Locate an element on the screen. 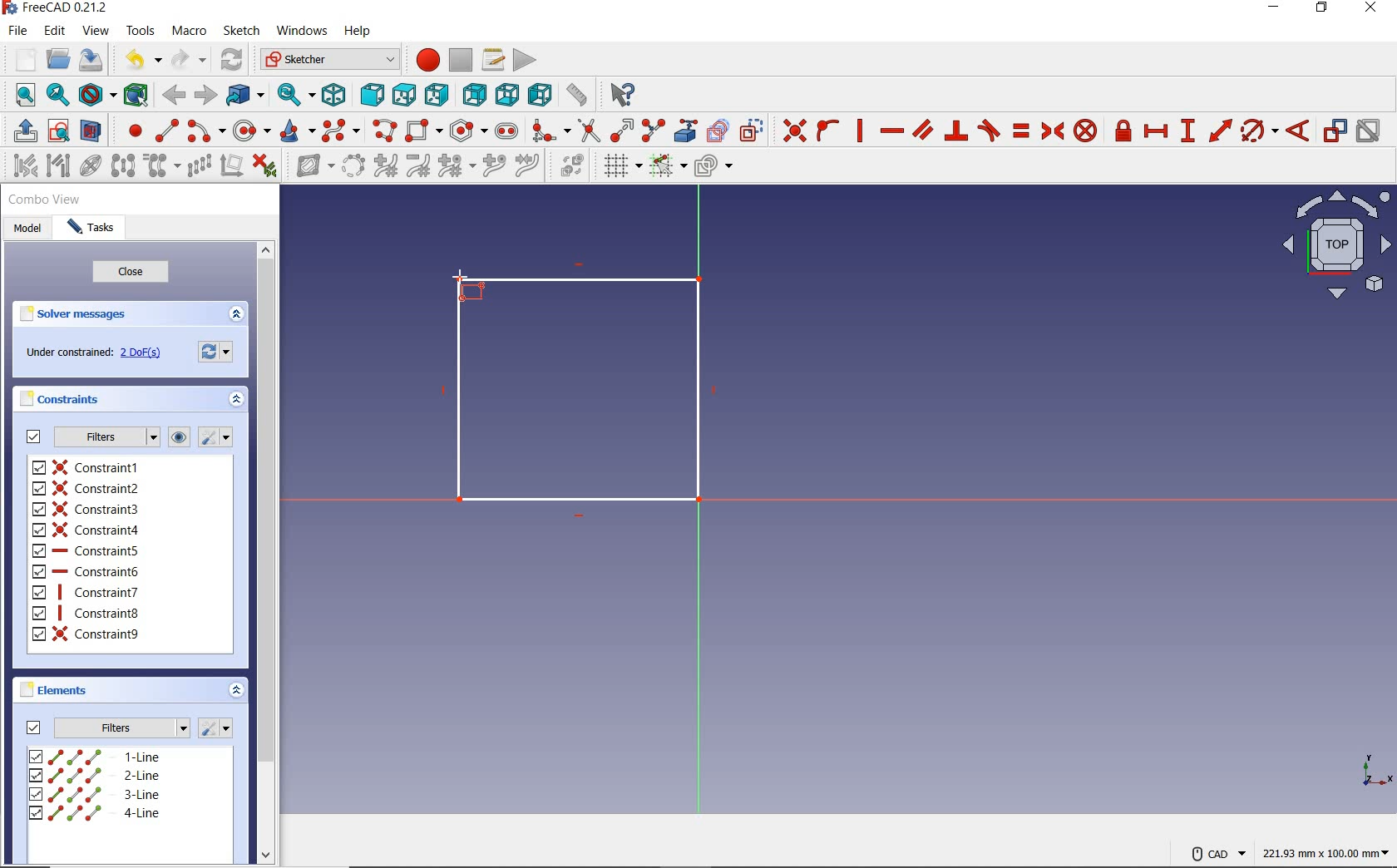  FreeCAD 0.21.2 is located at coordinates (58, 9).